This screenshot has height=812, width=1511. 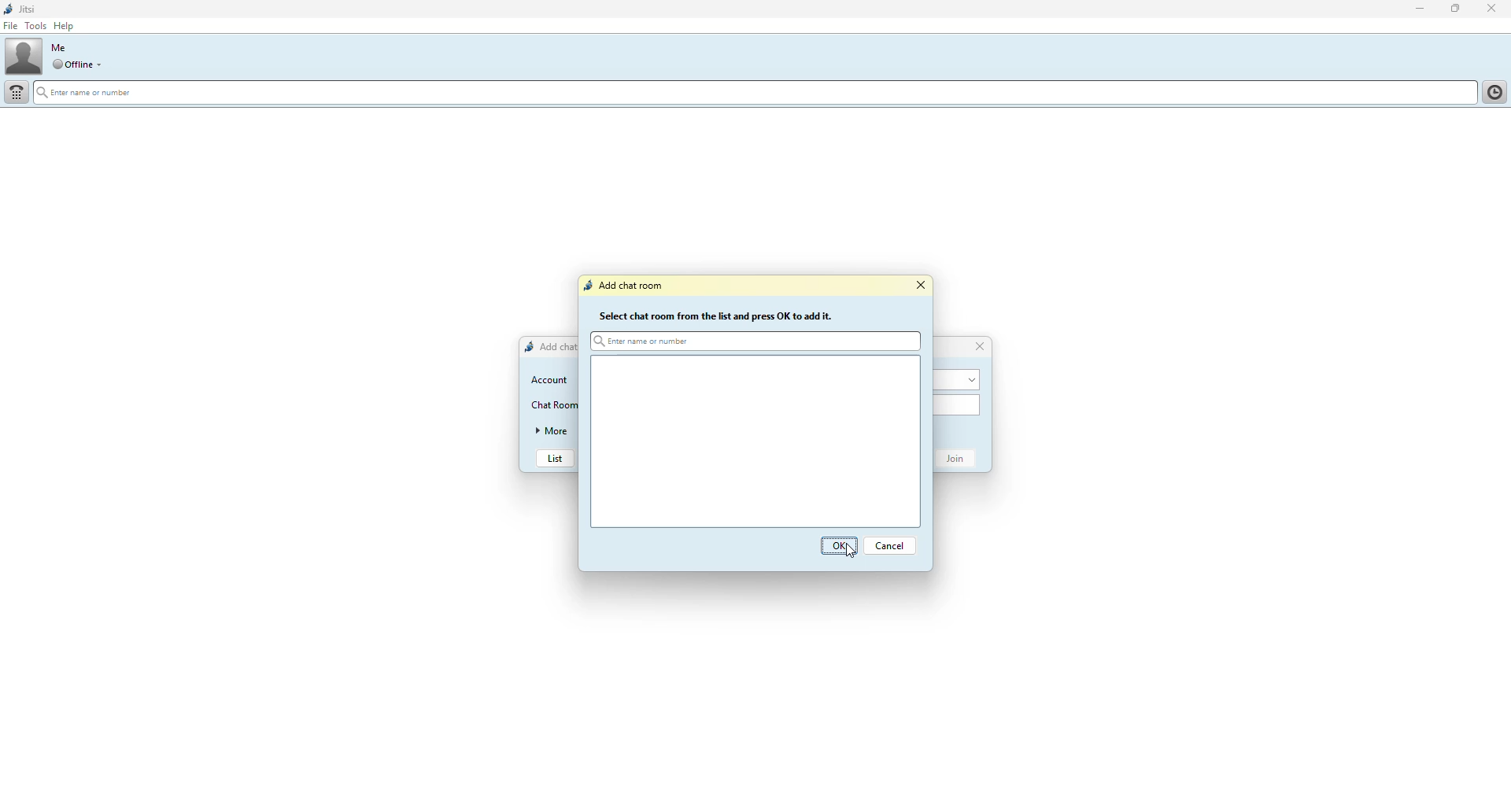 What do you see at coordinates (72, 64) in the screenshot?
I see `offline` at bounding box center [72, 64].